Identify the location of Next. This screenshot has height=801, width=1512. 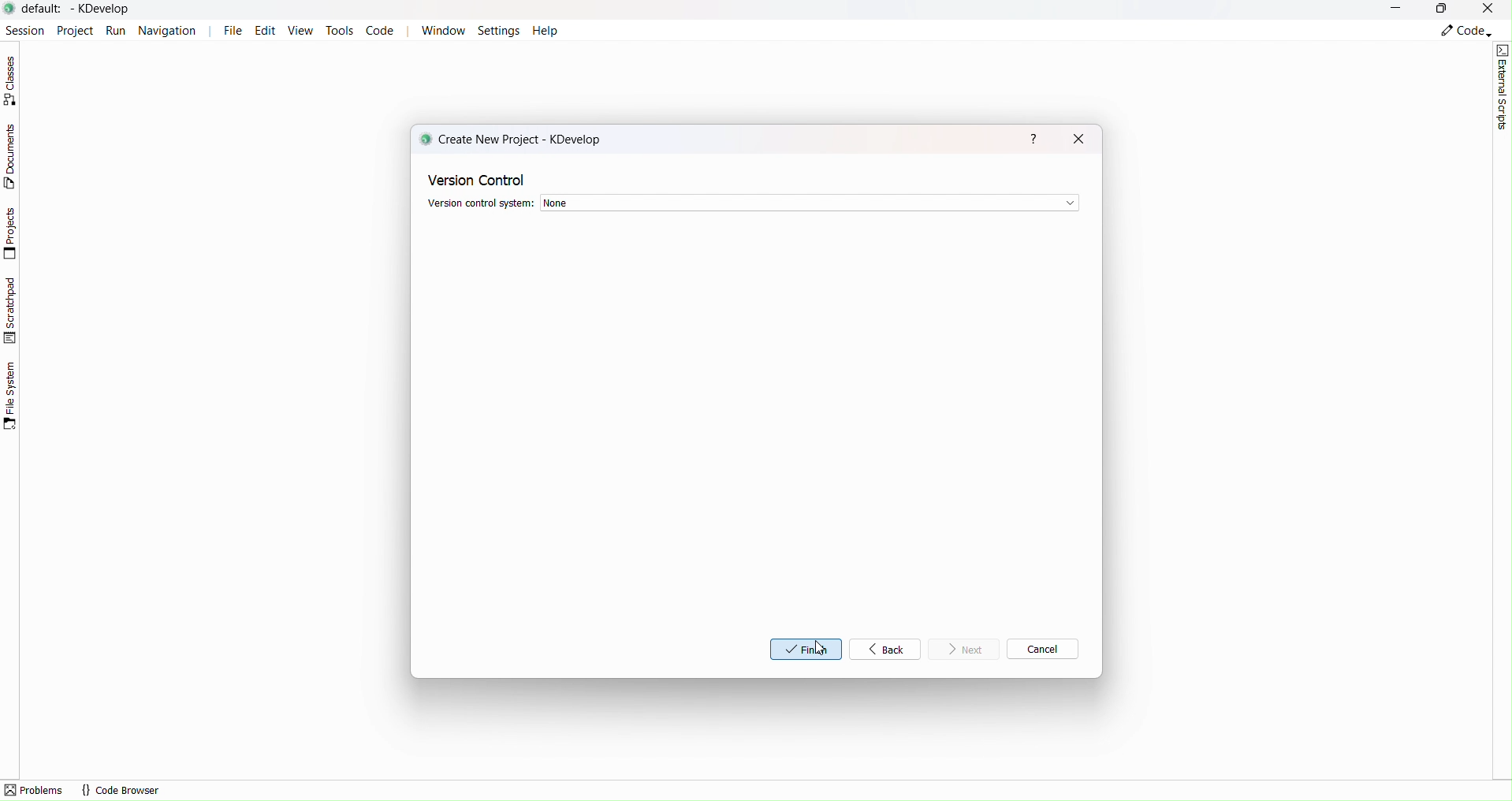
(964, 649).